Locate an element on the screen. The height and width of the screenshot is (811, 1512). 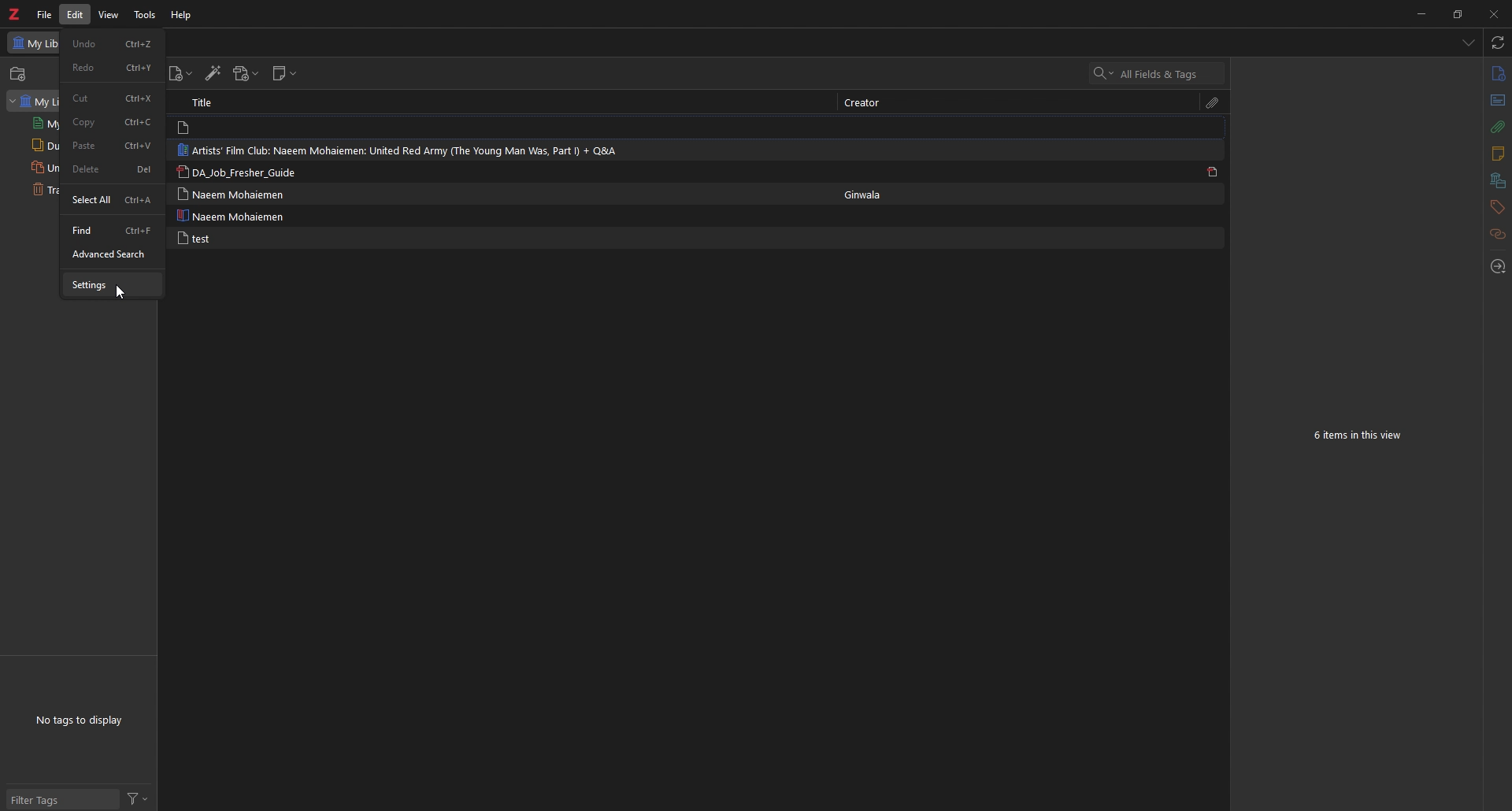
attachment is located at coordinates (1213, 104).